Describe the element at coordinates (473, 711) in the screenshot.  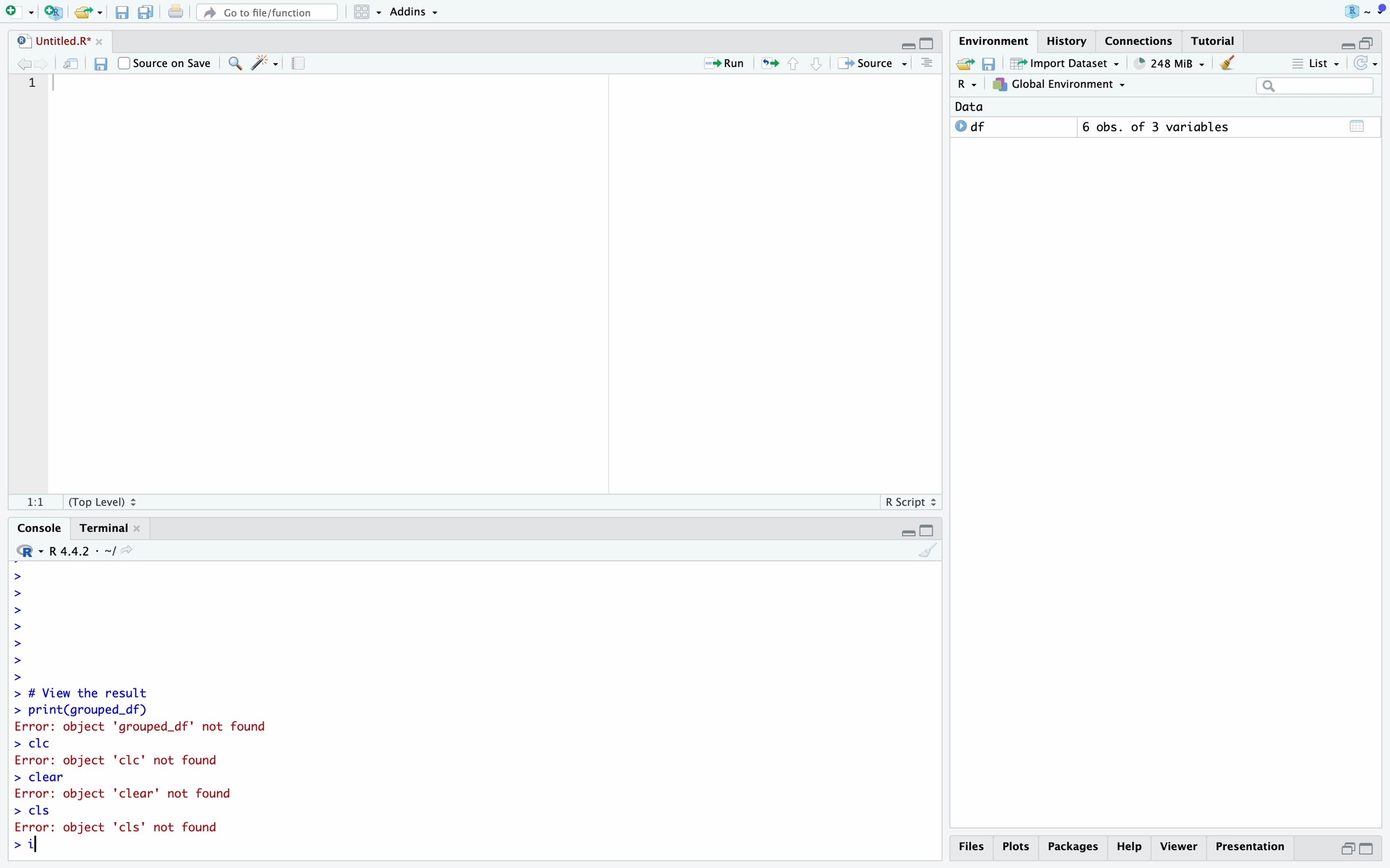
I see `> # View the result

> print(grouped_df)

Error: object 'grouped_df' not found
> cle

Error: object 'clc' not found

> clear

Error: object 'clear' not found

> cls

Error: object 'cls' not found` at that location.